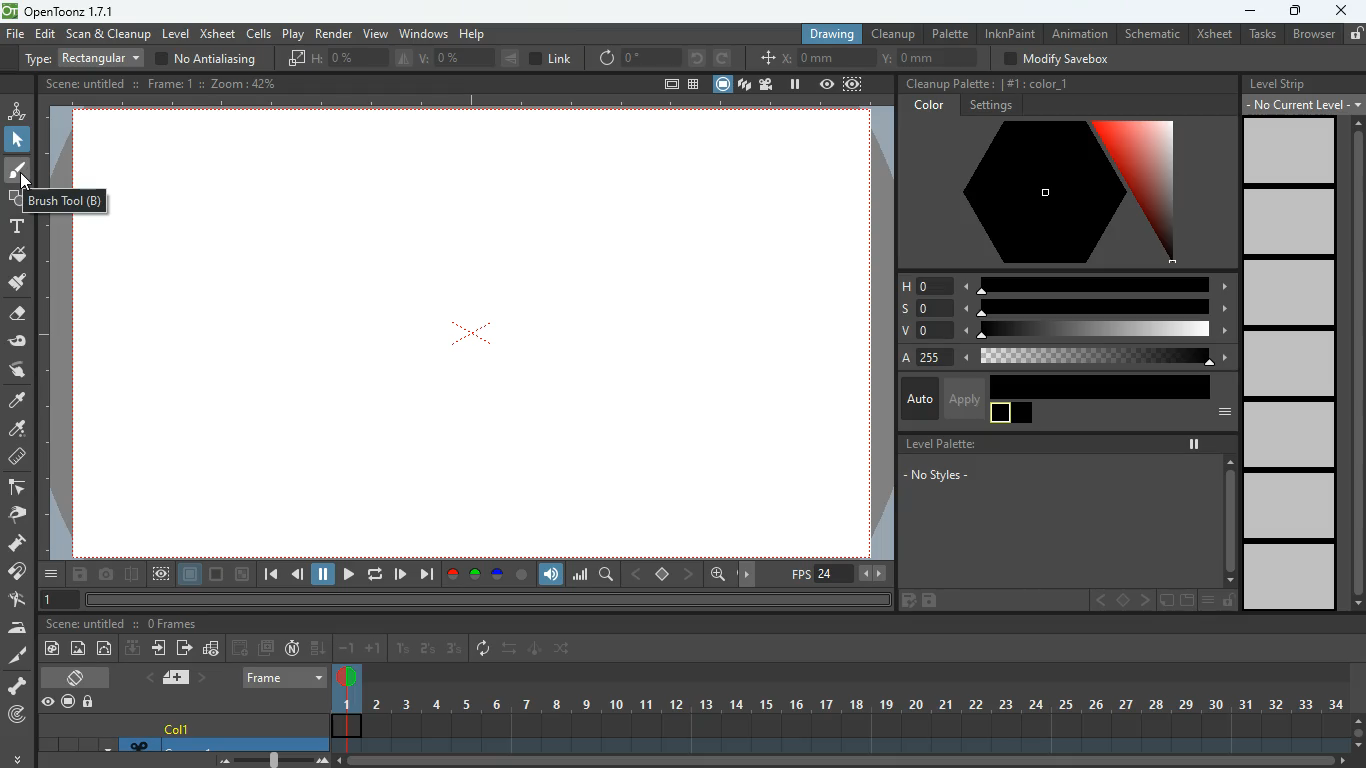 This screenshot has width=1366, height=768. What do you see at coordinates (47, 702) in the screenshot?
I see `view` at bounding box center [47, 702].